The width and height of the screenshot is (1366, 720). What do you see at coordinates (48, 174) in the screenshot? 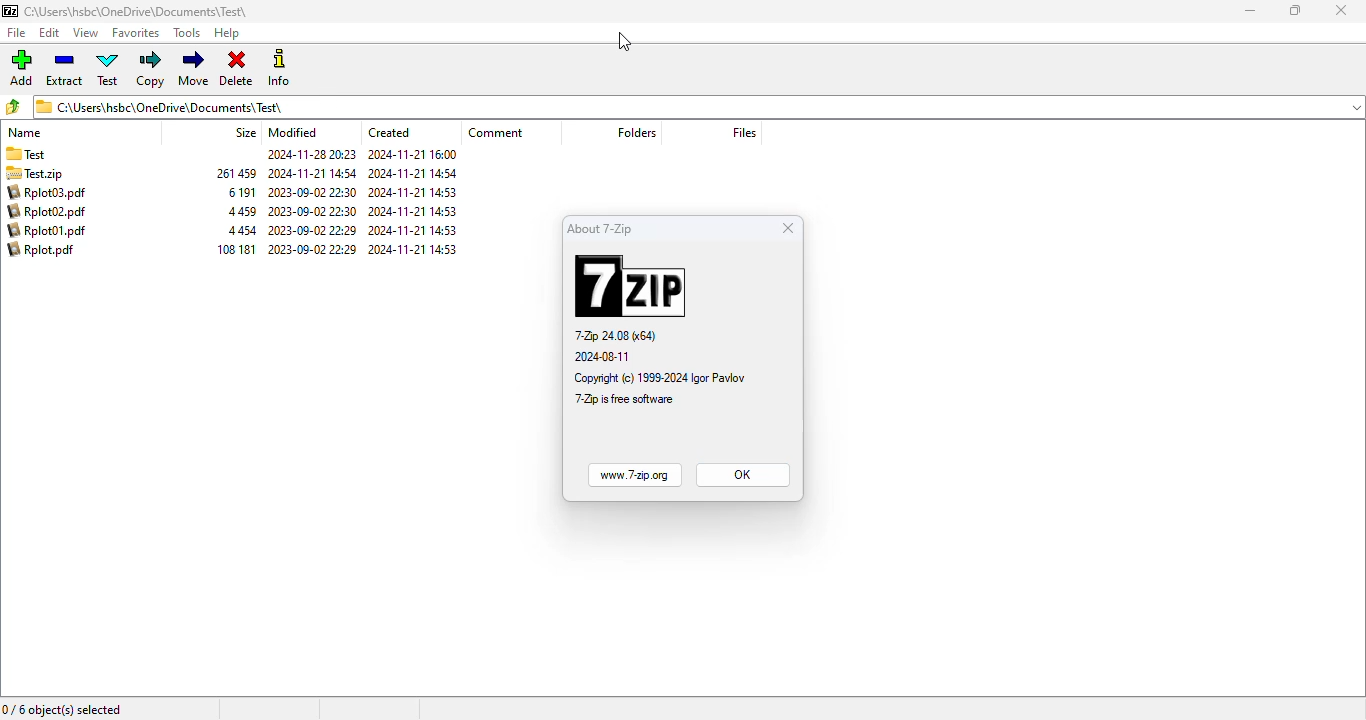
I see `Test.zip` at bounding box center [48, 174].